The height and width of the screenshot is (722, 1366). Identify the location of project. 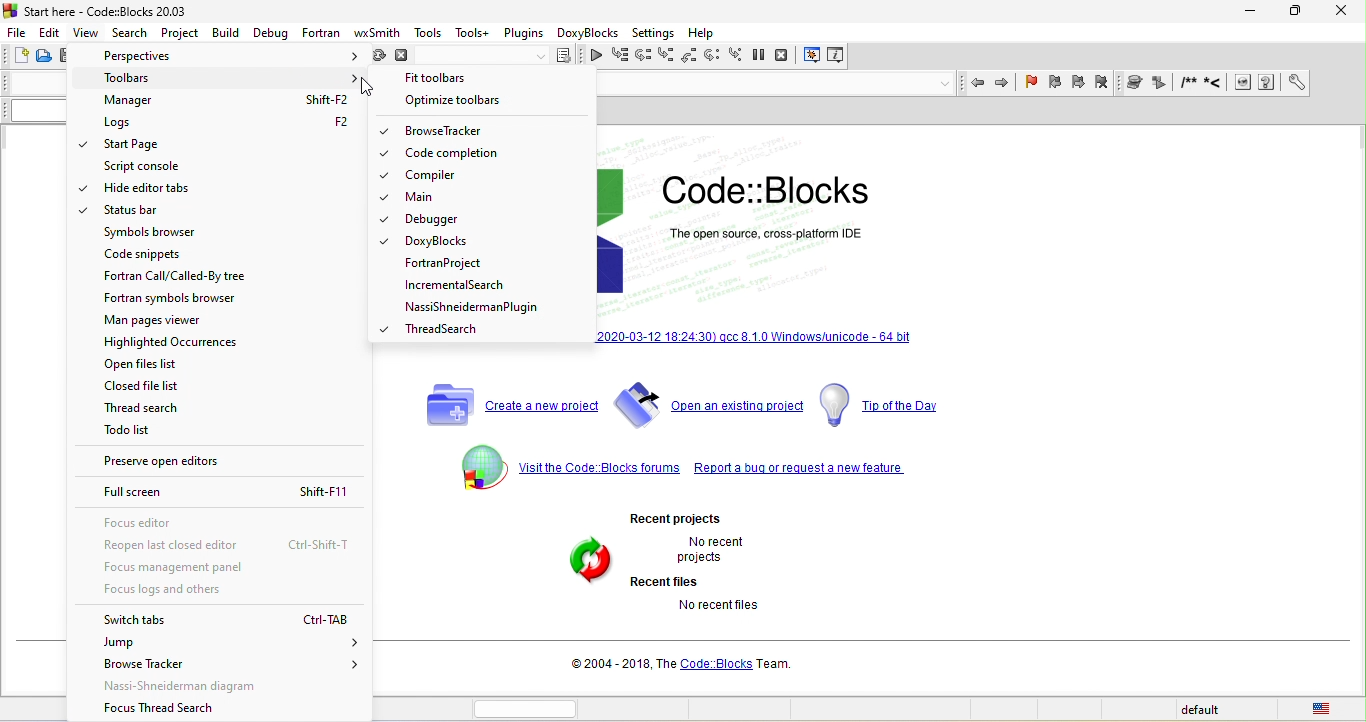
(179, 31).